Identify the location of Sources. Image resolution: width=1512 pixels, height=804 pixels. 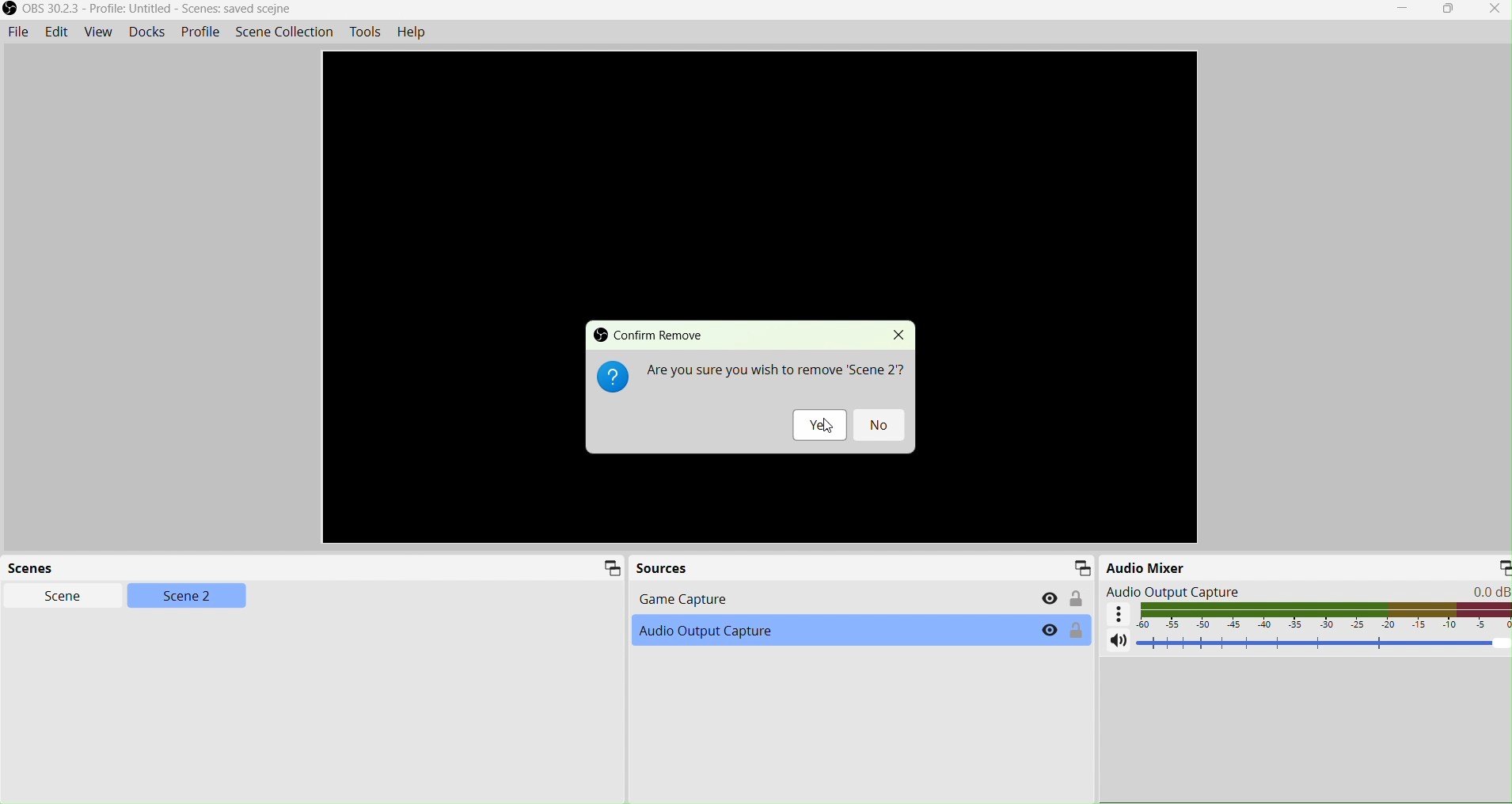
(663, 567).